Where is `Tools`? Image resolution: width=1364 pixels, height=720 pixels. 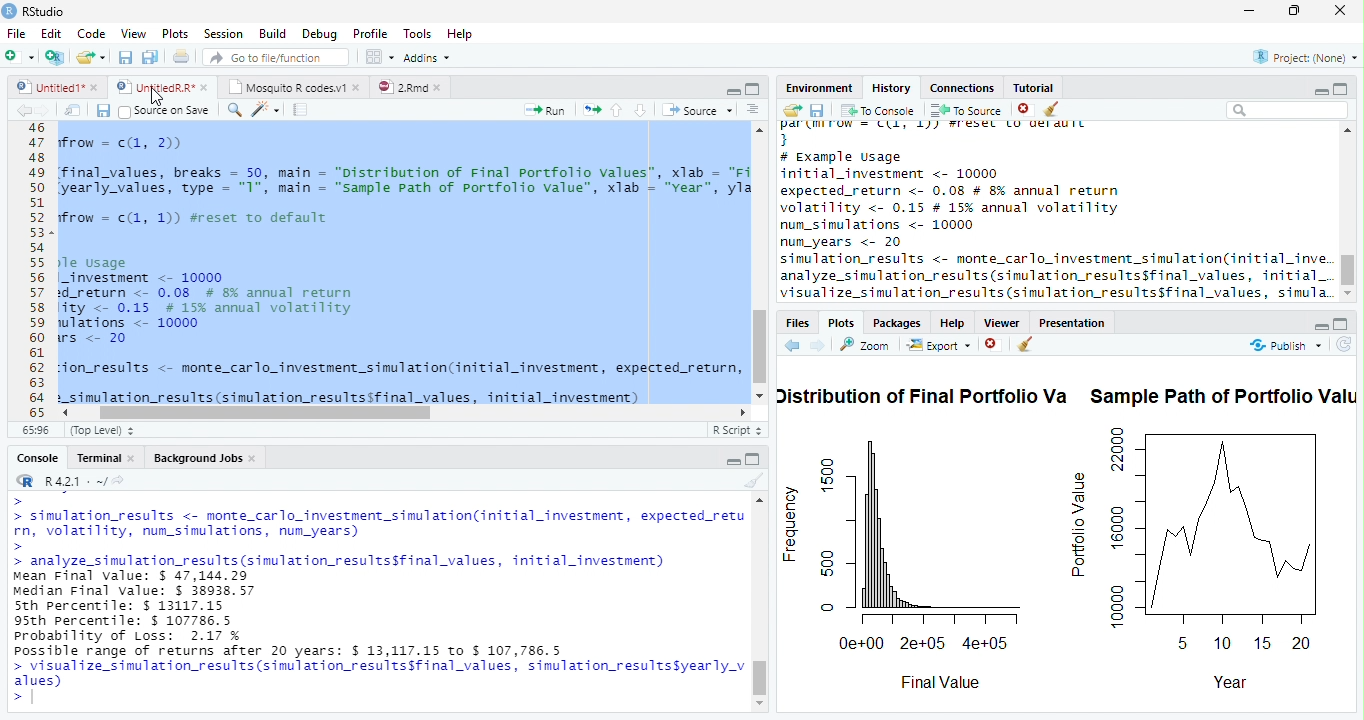
Tools is located at coordinates (416, 34).